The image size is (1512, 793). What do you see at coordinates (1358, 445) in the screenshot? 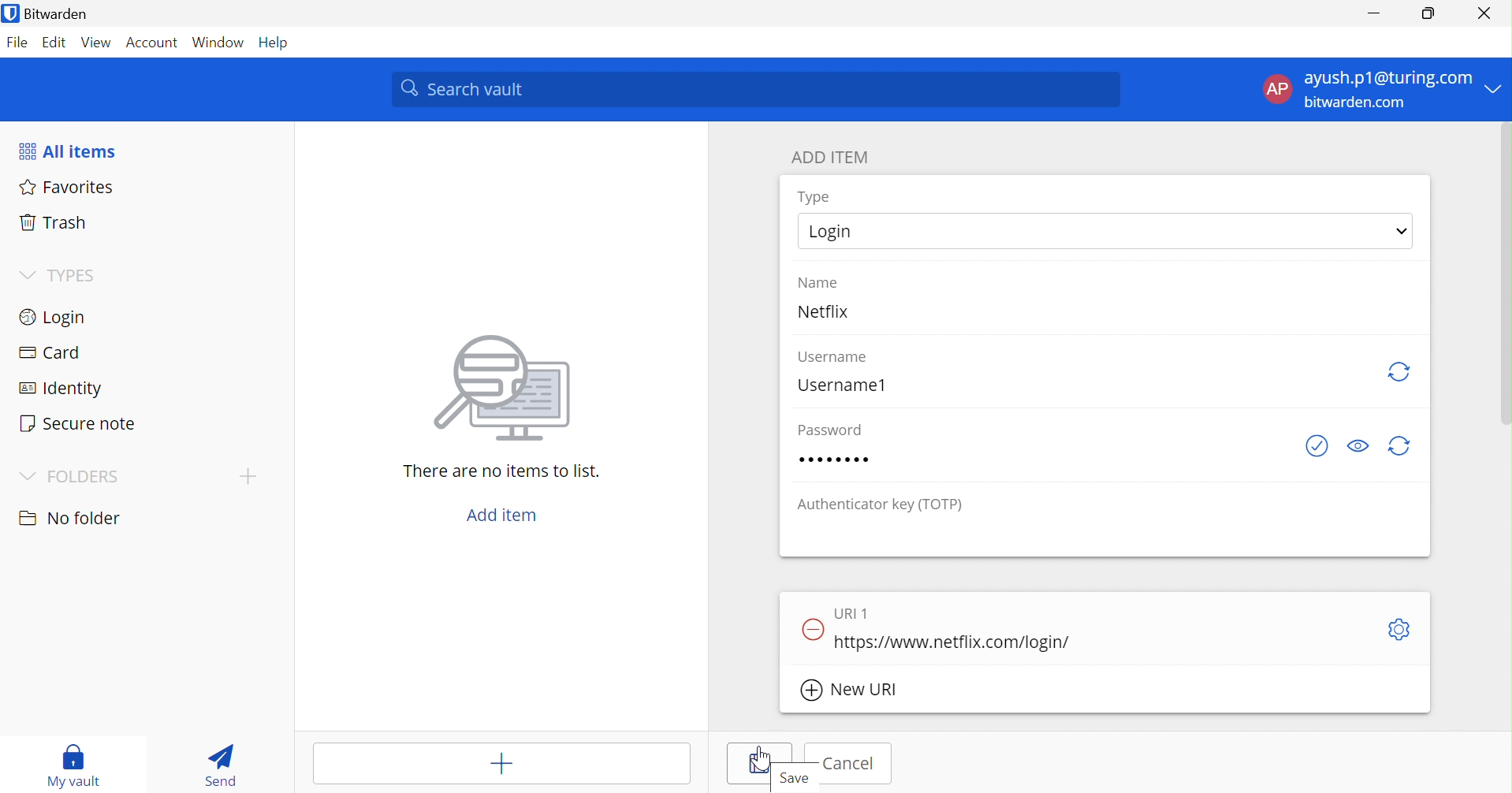
I see `Toggle visibility` at bounding box center [1358, 445].